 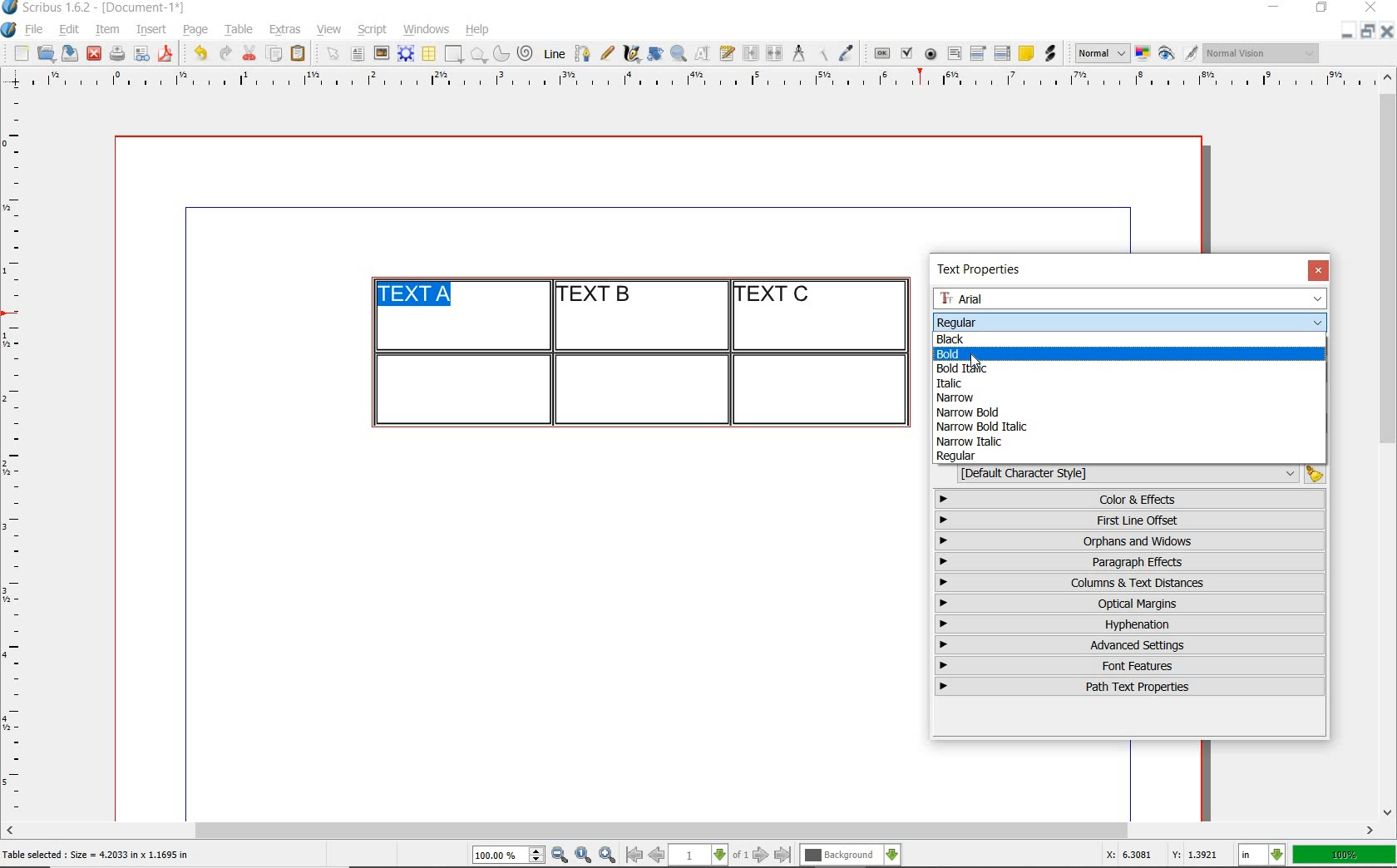 What do you see at coordinates (633, 53) in the screenshot?
I see `calligraphic line` at bounding box center [633, 53].